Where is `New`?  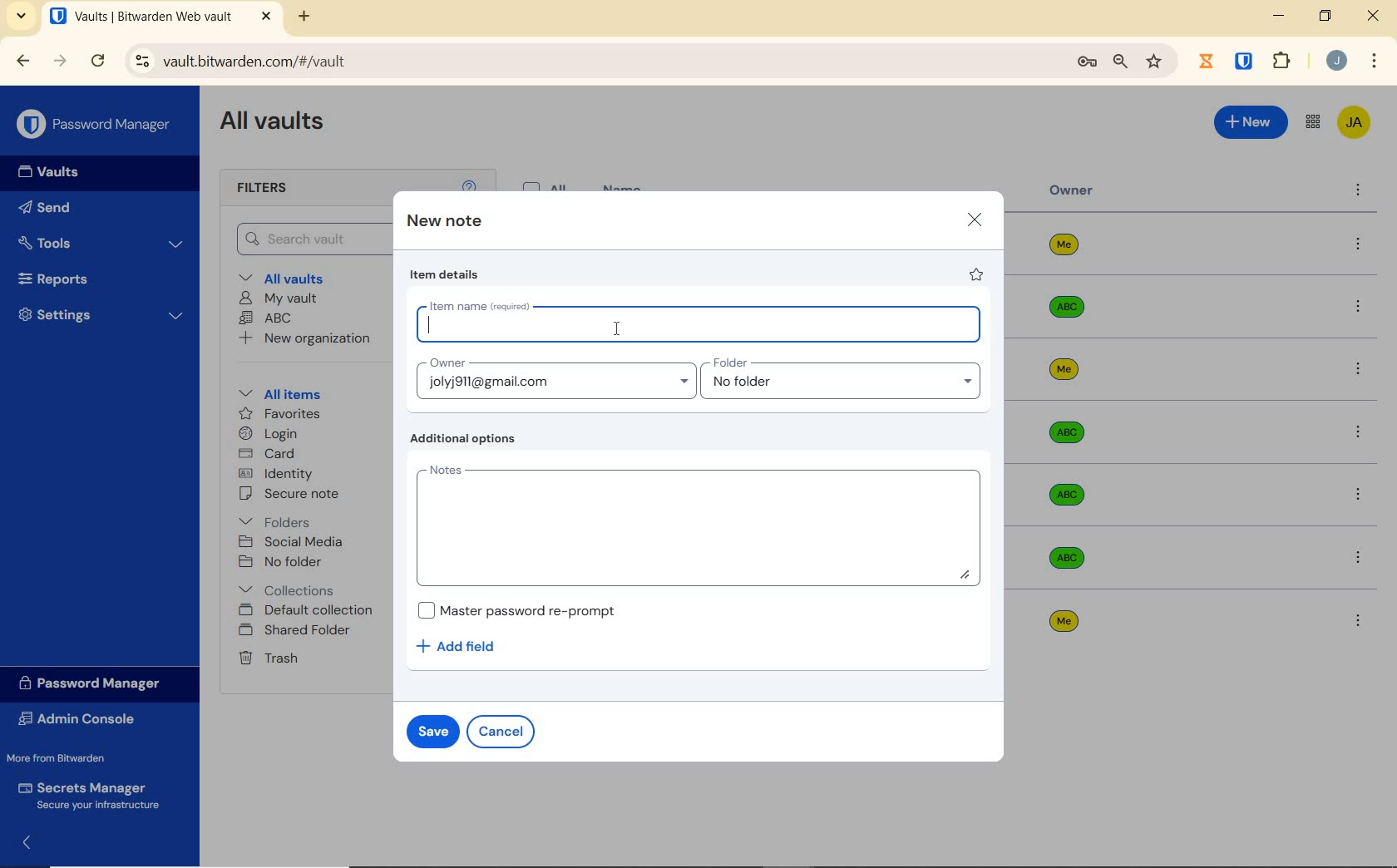
New is located at coordinates (1250, 122).